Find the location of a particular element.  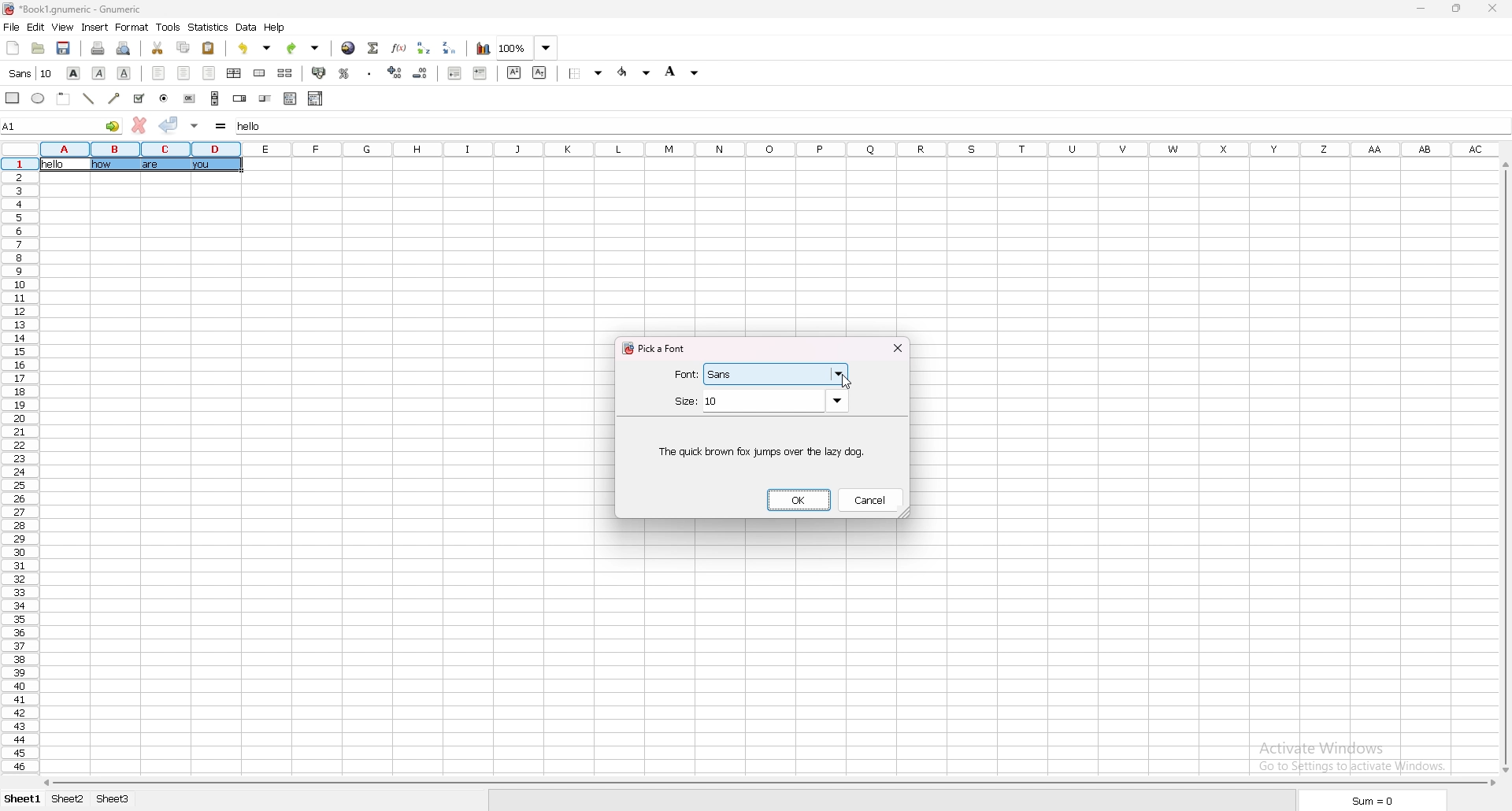

spin button is located at coordinates (239, 98).